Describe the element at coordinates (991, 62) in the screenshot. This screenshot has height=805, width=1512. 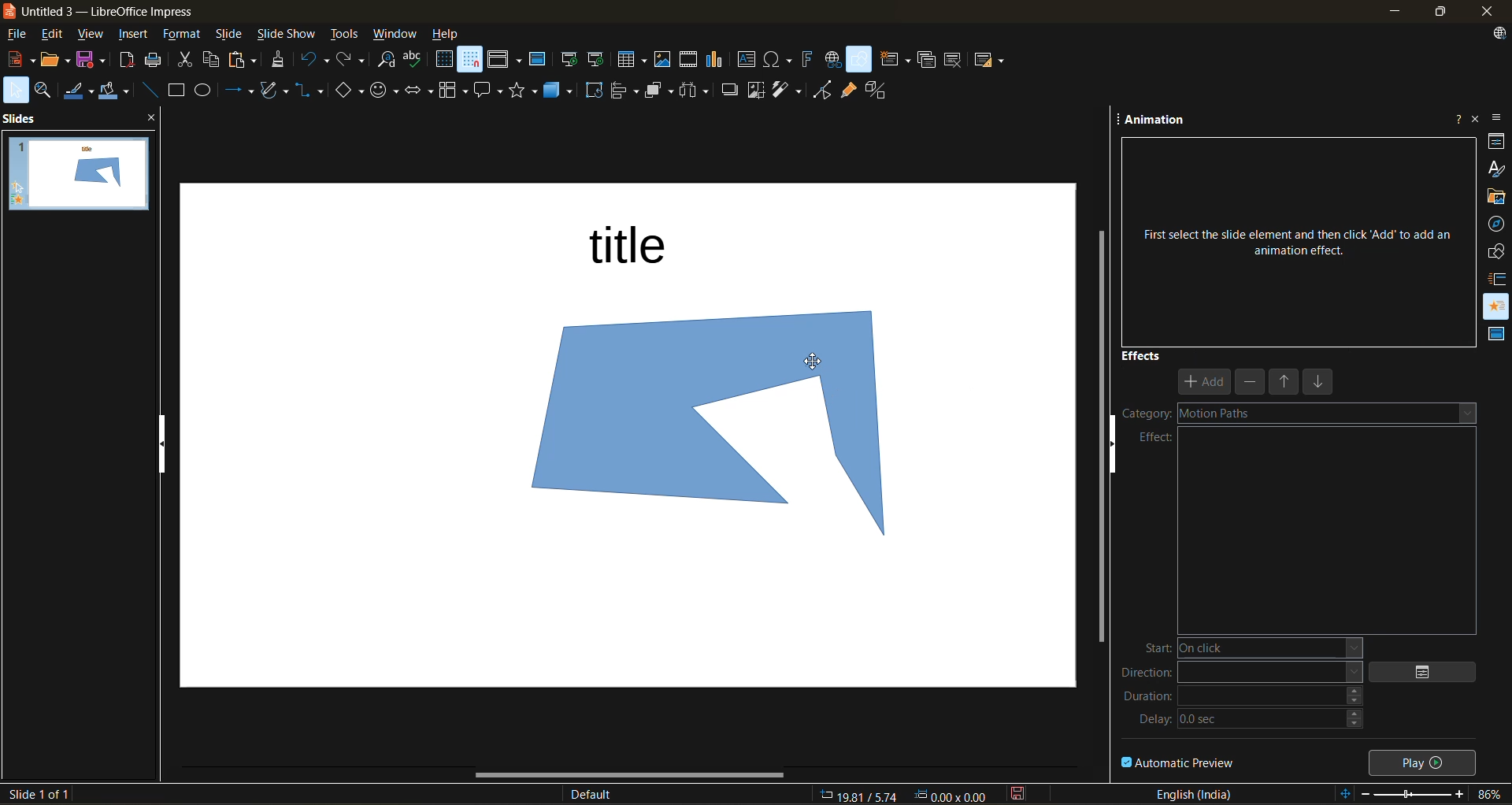
I see `slide layout` at that location.